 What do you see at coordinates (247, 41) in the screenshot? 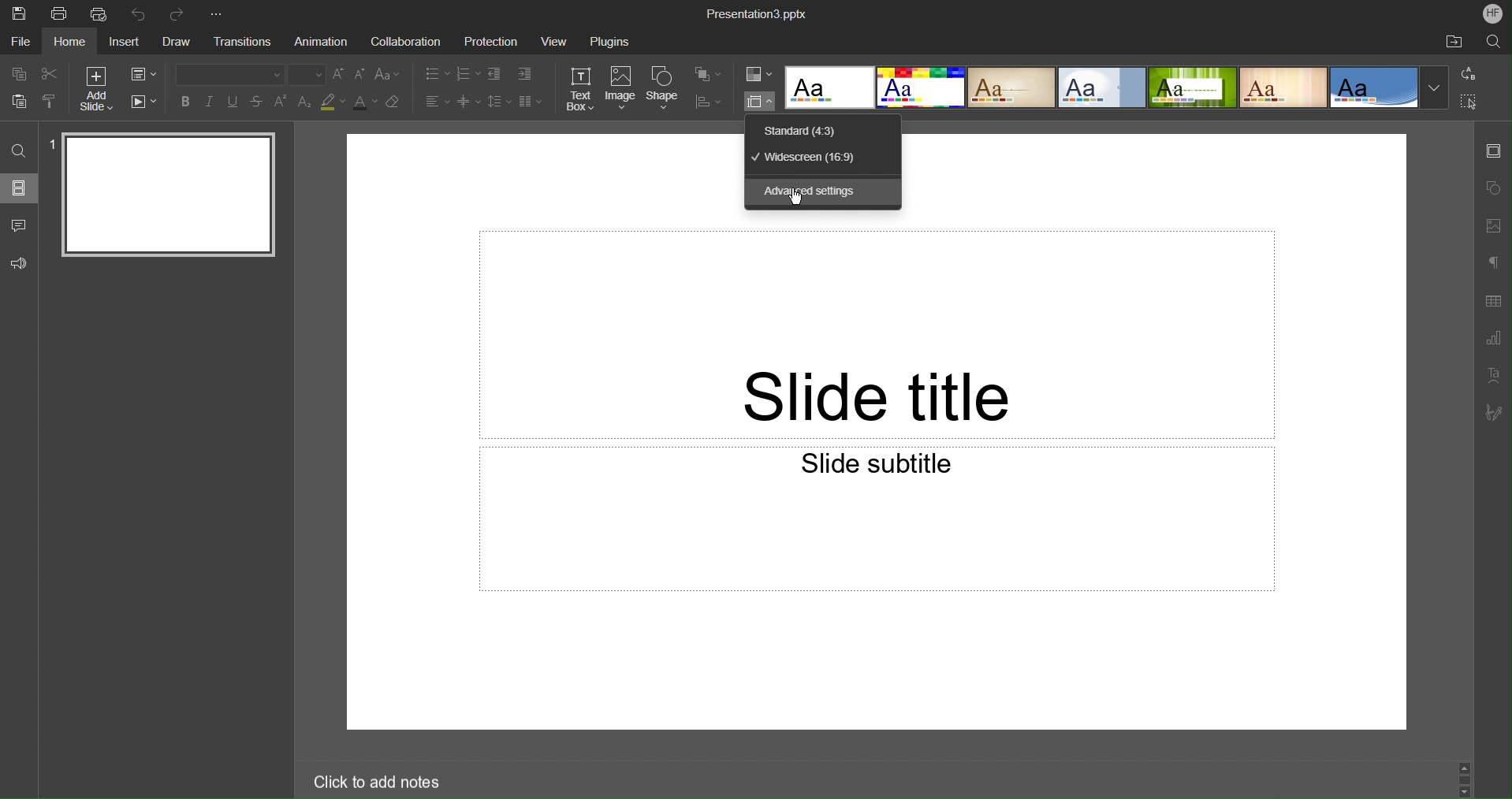
I see `Transitions` at bounding box center [247, 41].